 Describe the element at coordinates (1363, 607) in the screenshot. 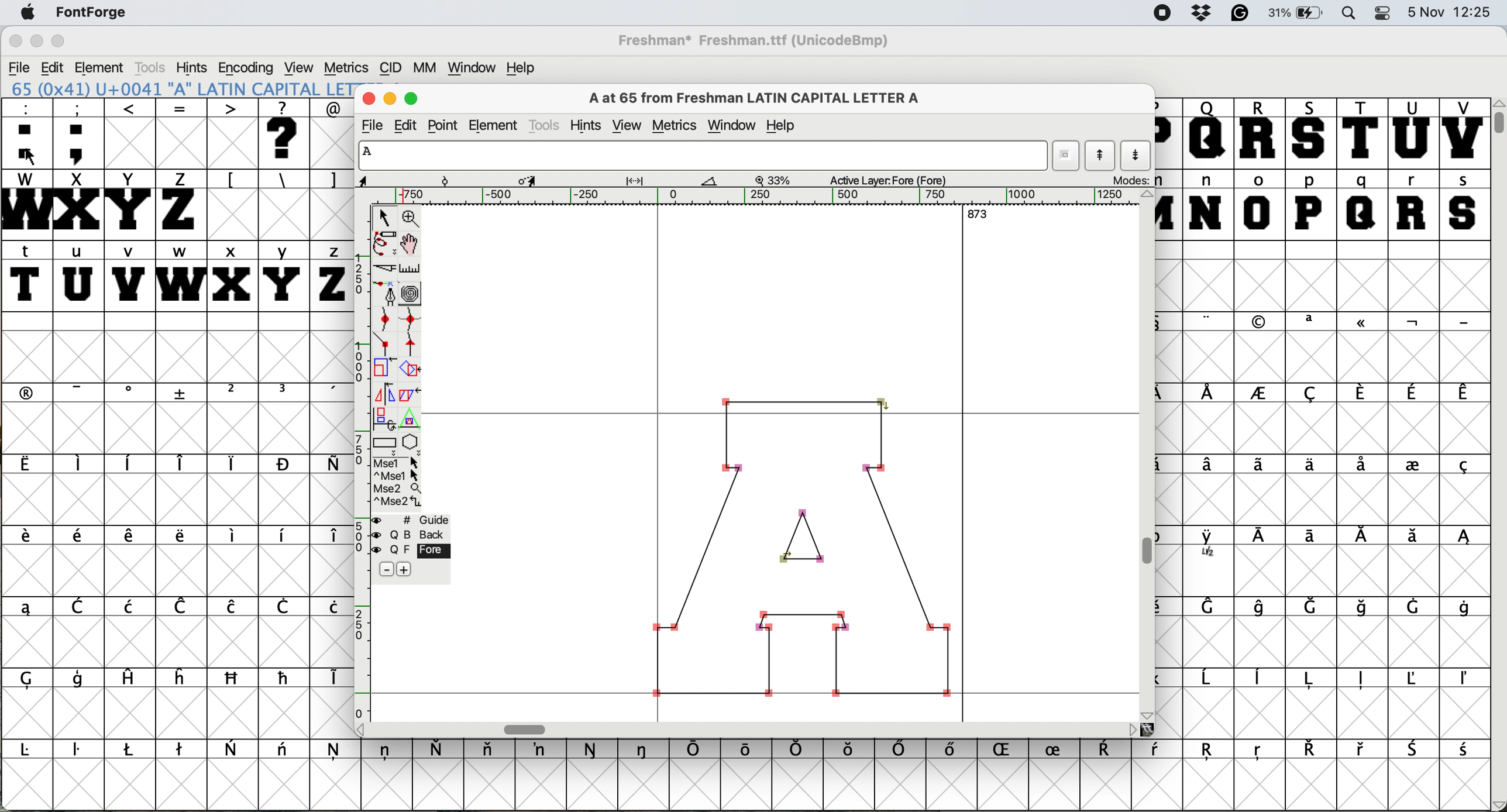

I see `symbol` at that location.